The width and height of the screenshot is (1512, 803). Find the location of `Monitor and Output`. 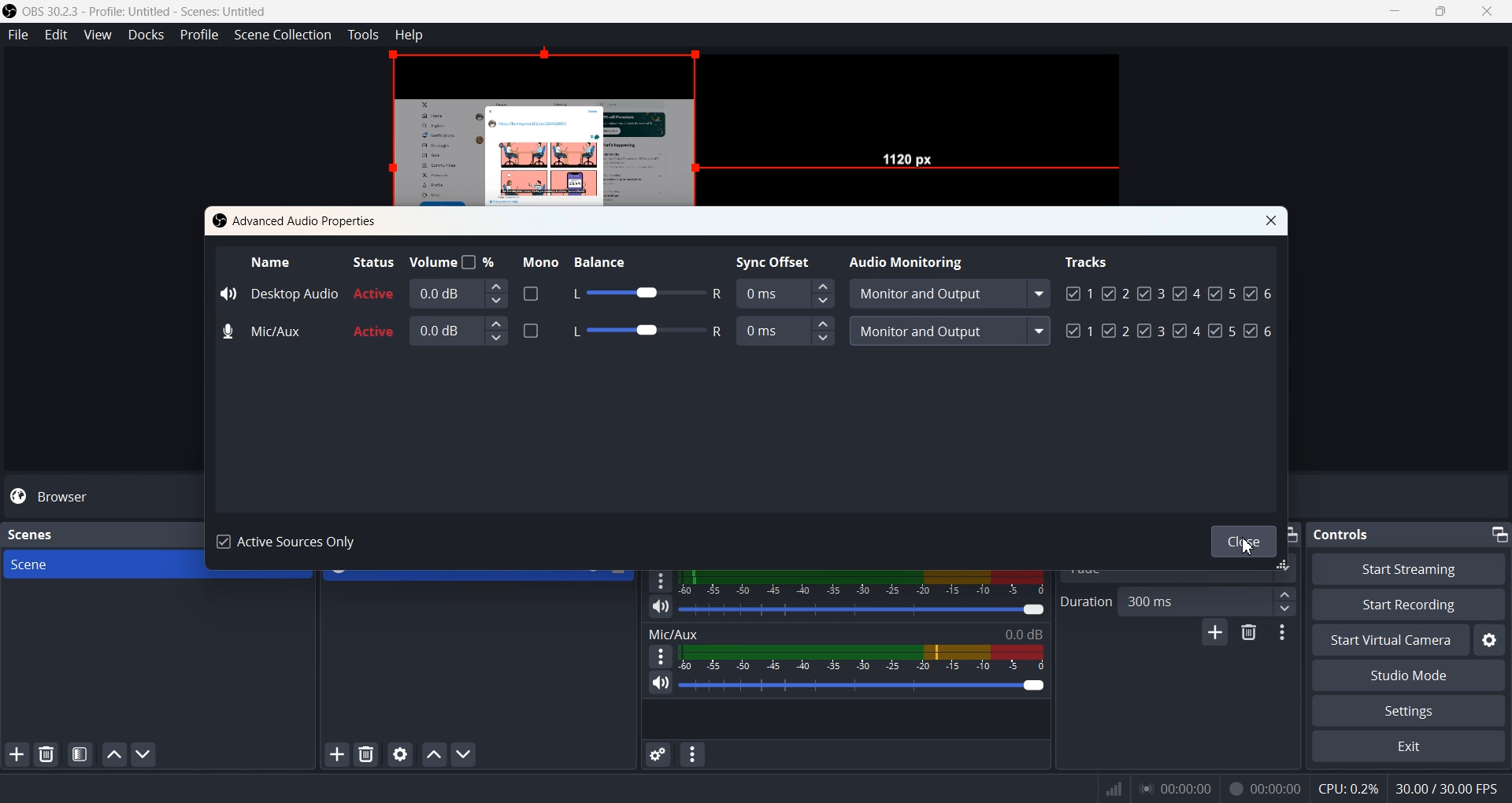

Monitor and Output is located at coordinates (949, 331).